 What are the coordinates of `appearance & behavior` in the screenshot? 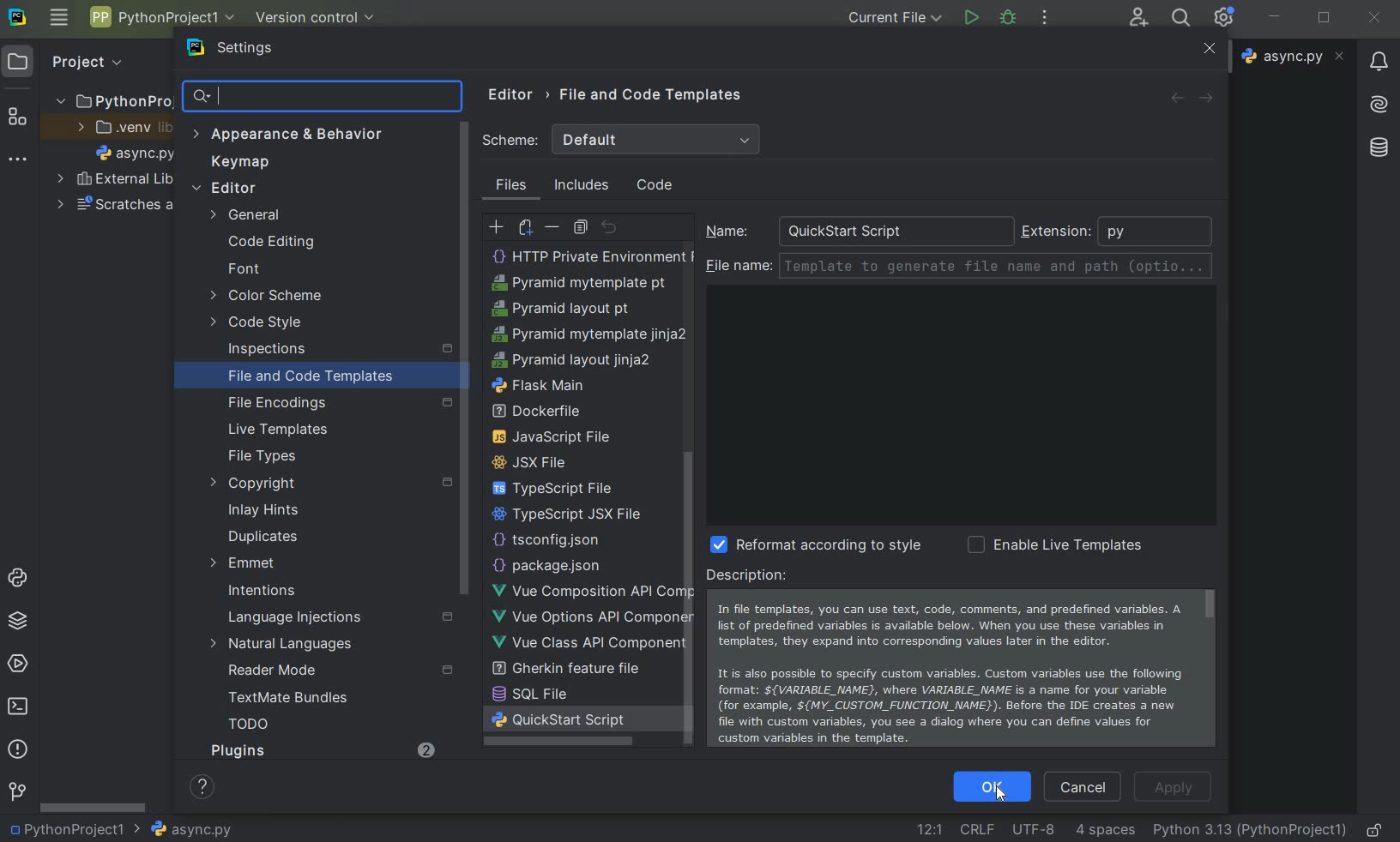 It's located at (287, 135).